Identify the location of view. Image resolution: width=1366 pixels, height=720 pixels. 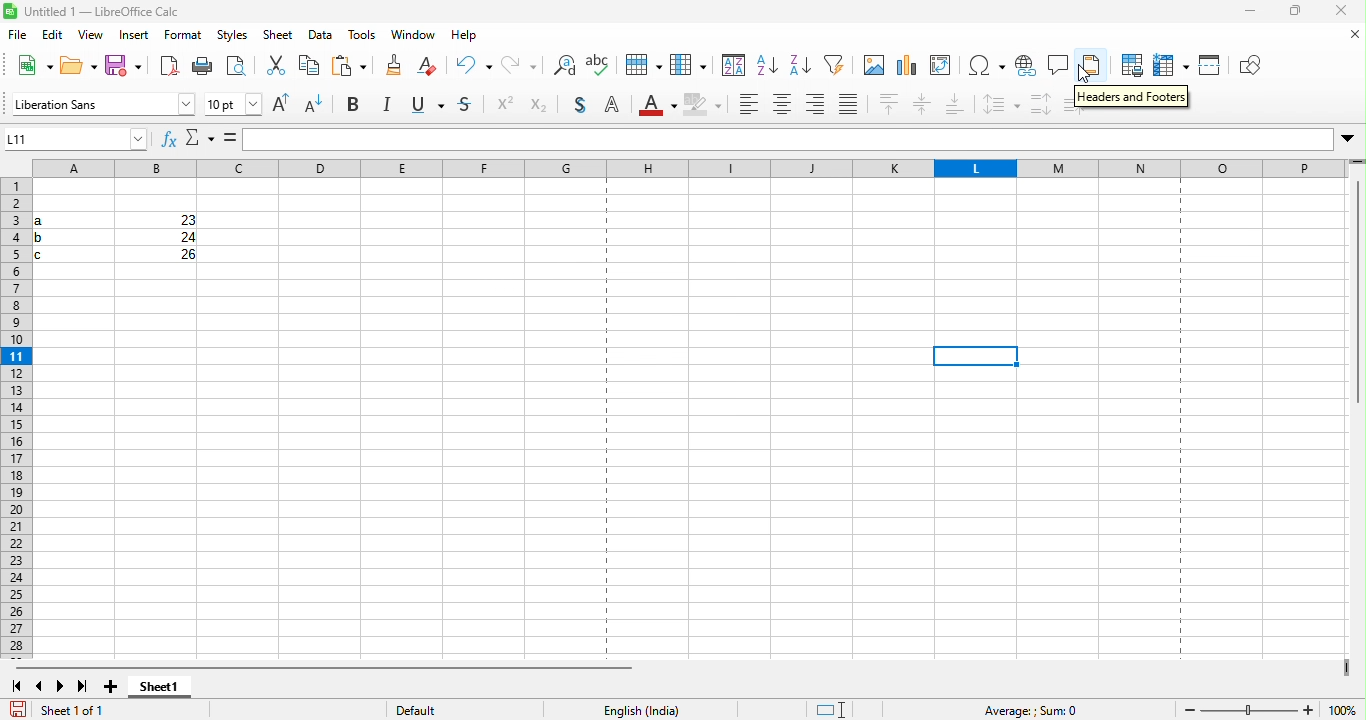
(92, 38).